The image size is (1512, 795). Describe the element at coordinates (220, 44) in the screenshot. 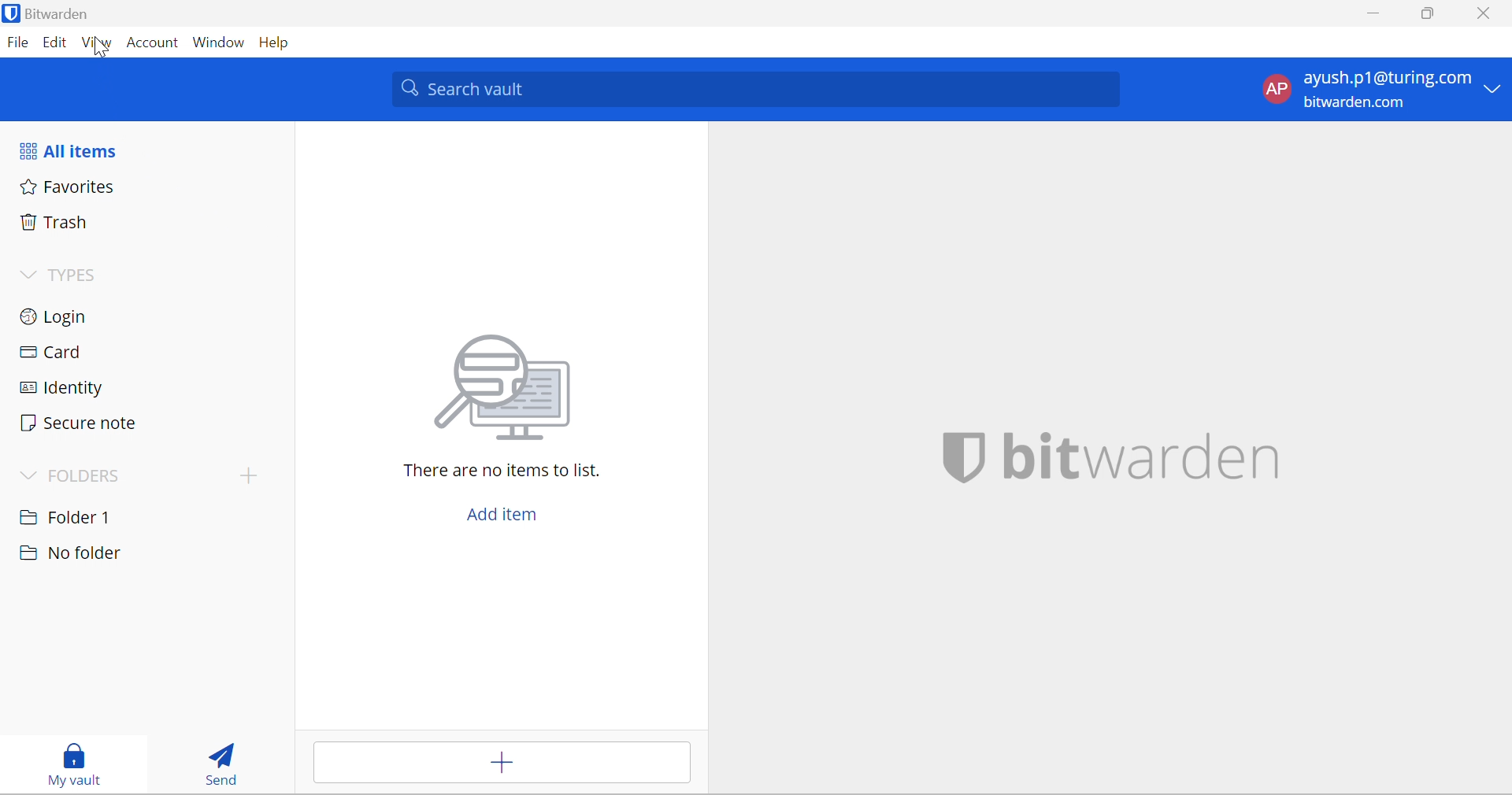

I see `window` at that location.